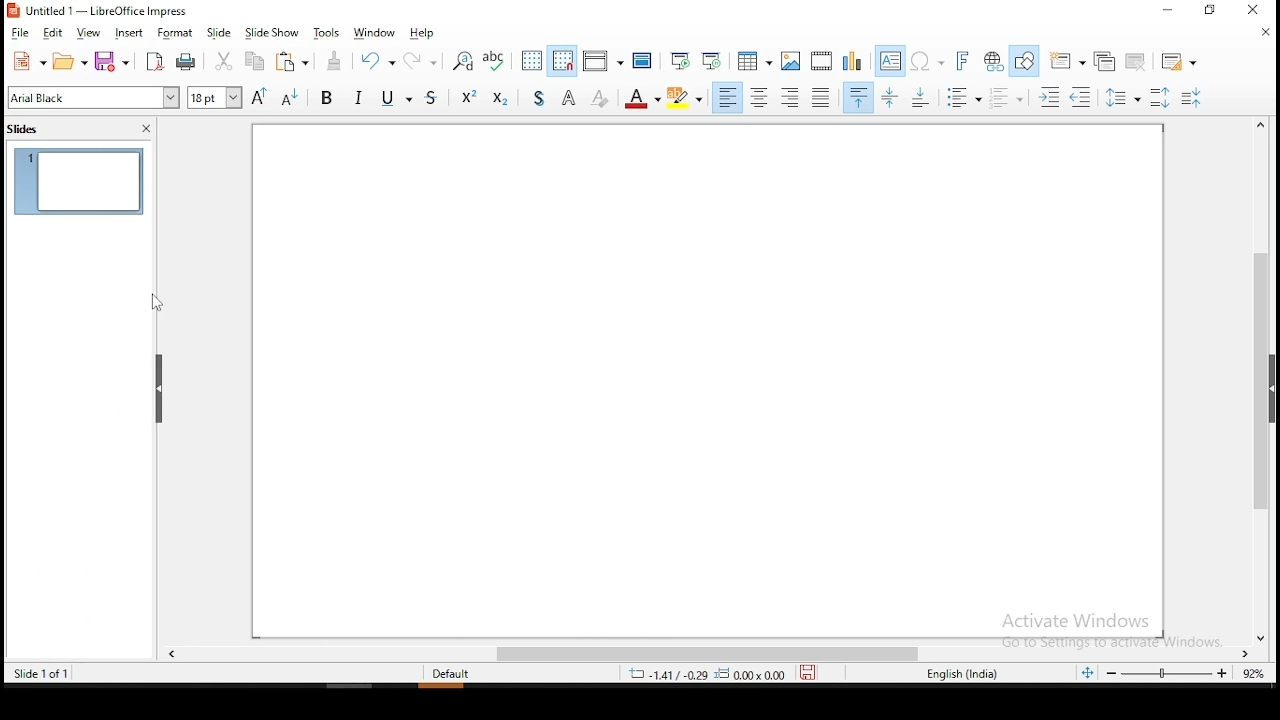  I want to click on undo, so click(380, 63).